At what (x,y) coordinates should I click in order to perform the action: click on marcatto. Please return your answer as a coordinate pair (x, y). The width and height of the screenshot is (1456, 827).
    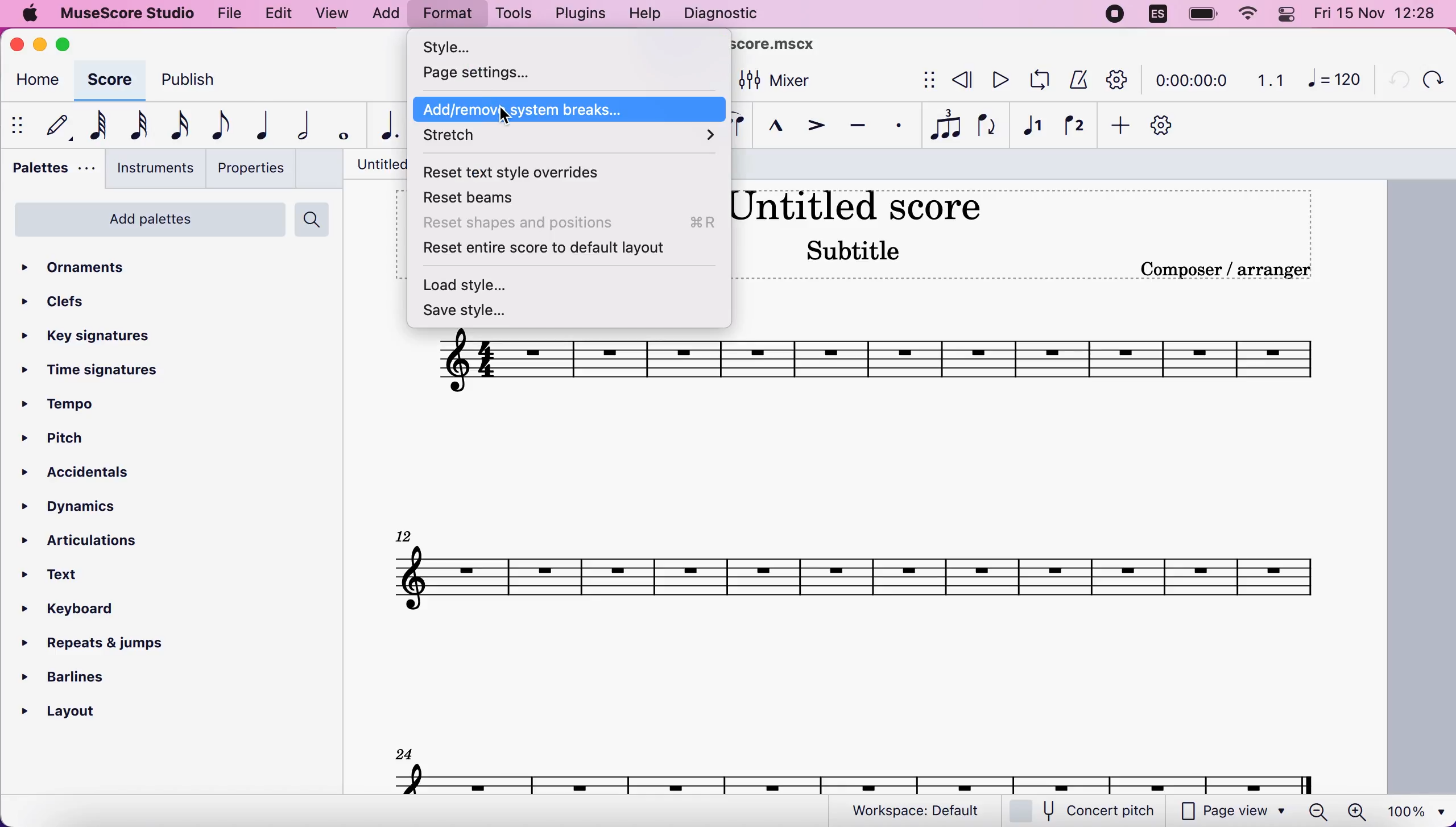
    Looking at the image, I should click on (772, 129).